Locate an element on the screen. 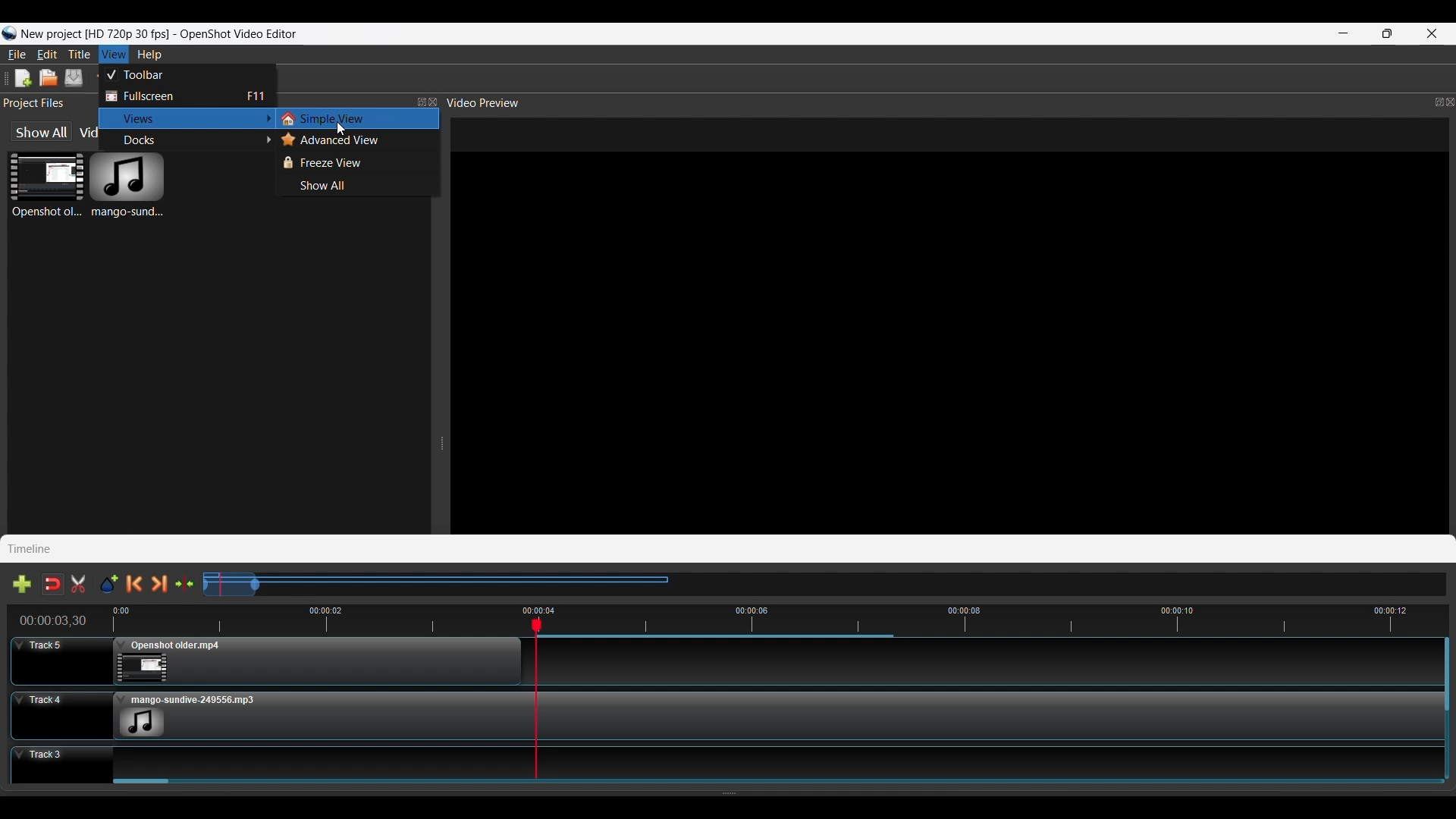 Image resolution: width=1456 pixels, height=819 pixels. Edit is located at coordinates (48, 54).